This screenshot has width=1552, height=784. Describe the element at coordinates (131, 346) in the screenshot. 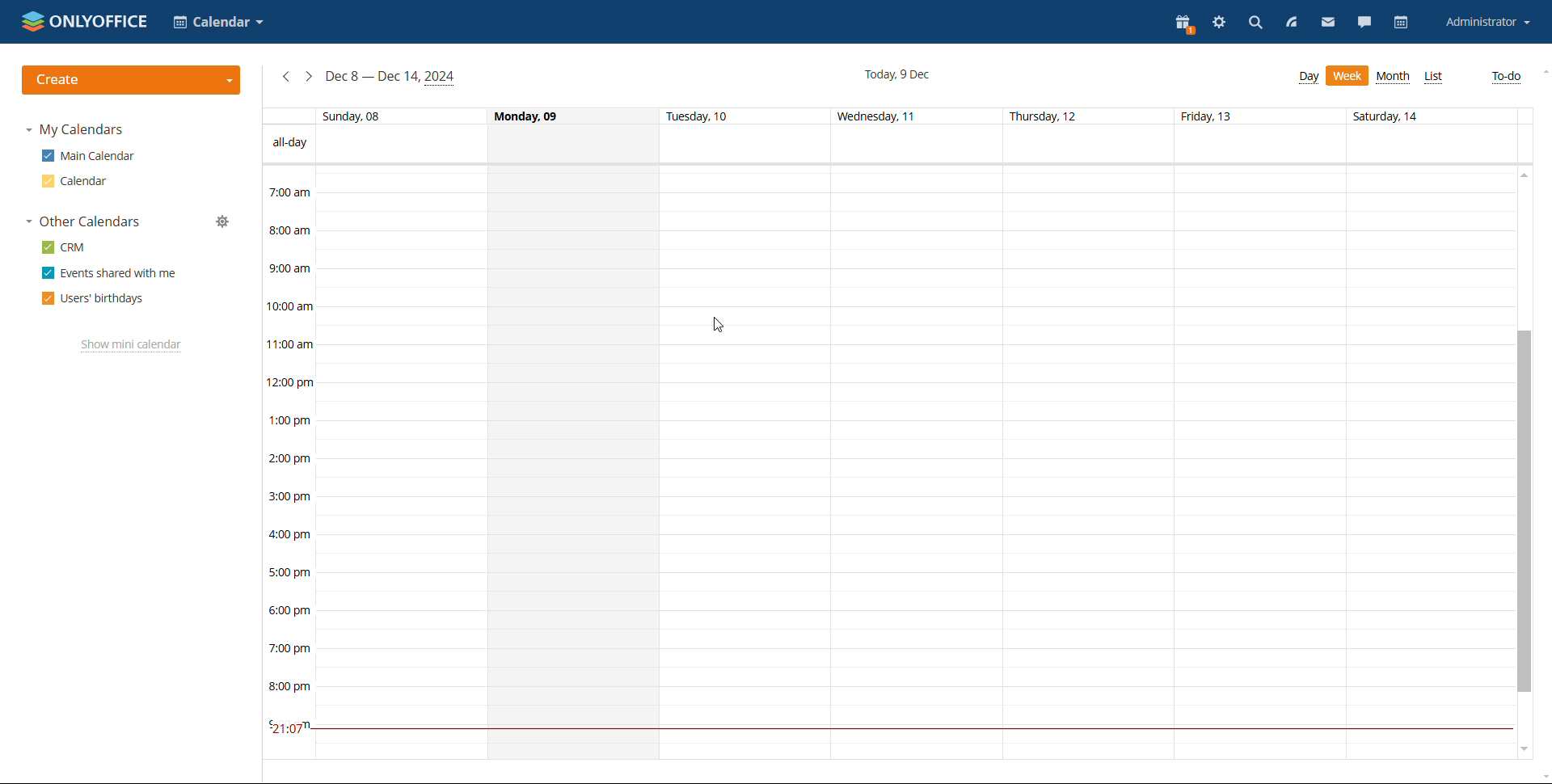

I see `show mini calendar` at that location.